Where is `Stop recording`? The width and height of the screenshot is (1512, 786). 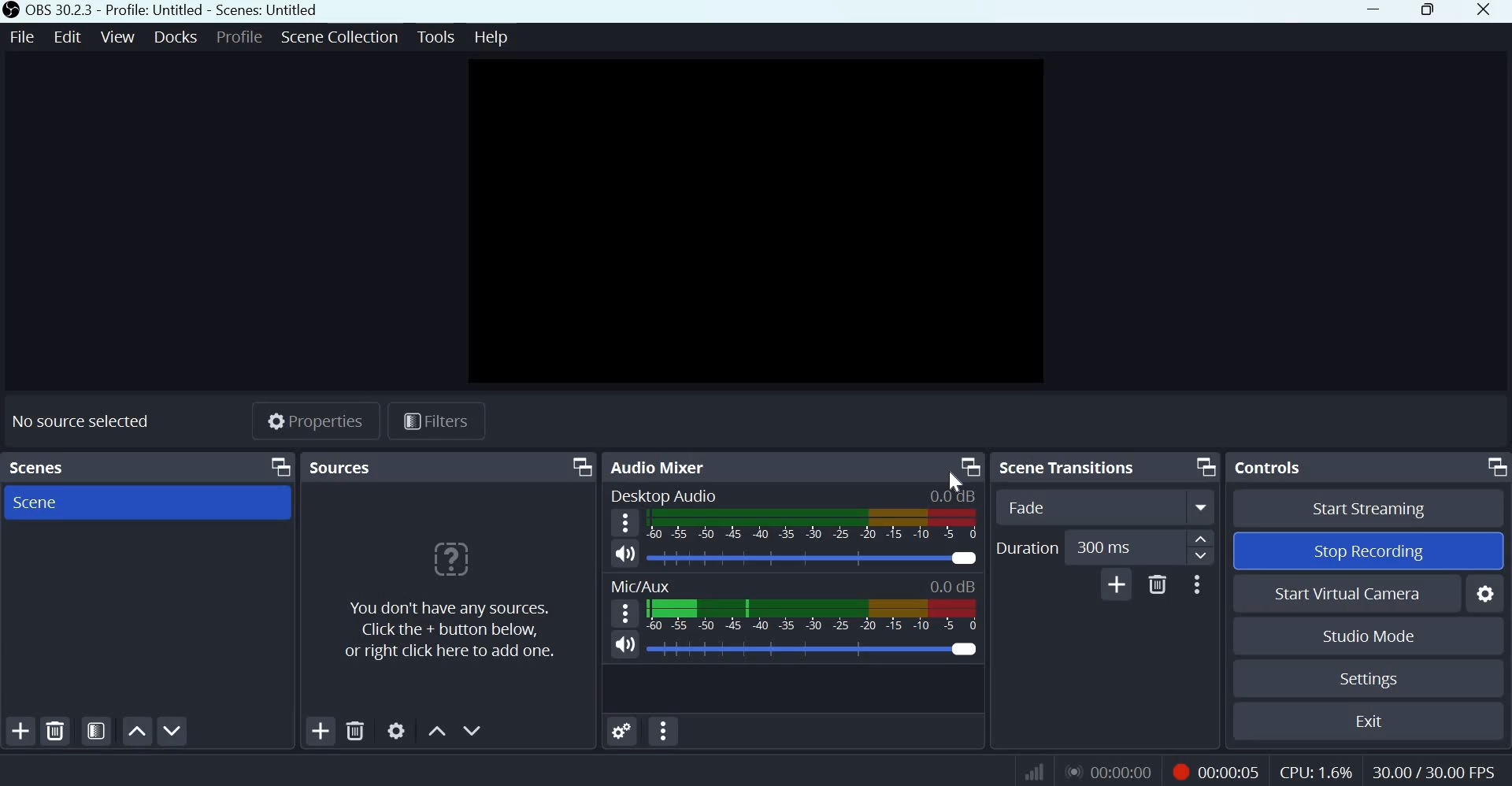
Stop recording is located at coordinates (1365, 553).